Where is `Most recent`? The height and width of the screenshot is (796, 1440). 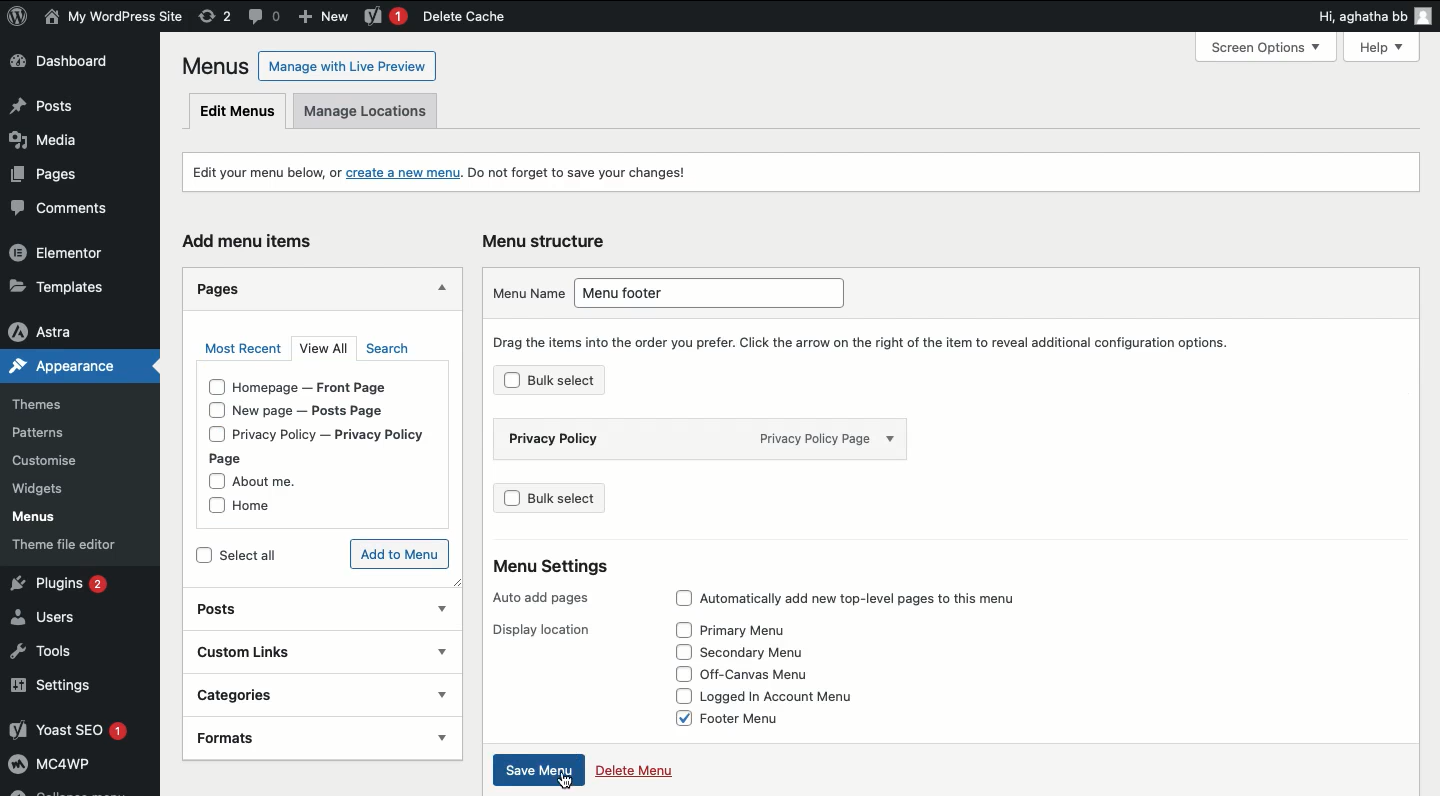 Most recent is located at coordinates (242, 349).